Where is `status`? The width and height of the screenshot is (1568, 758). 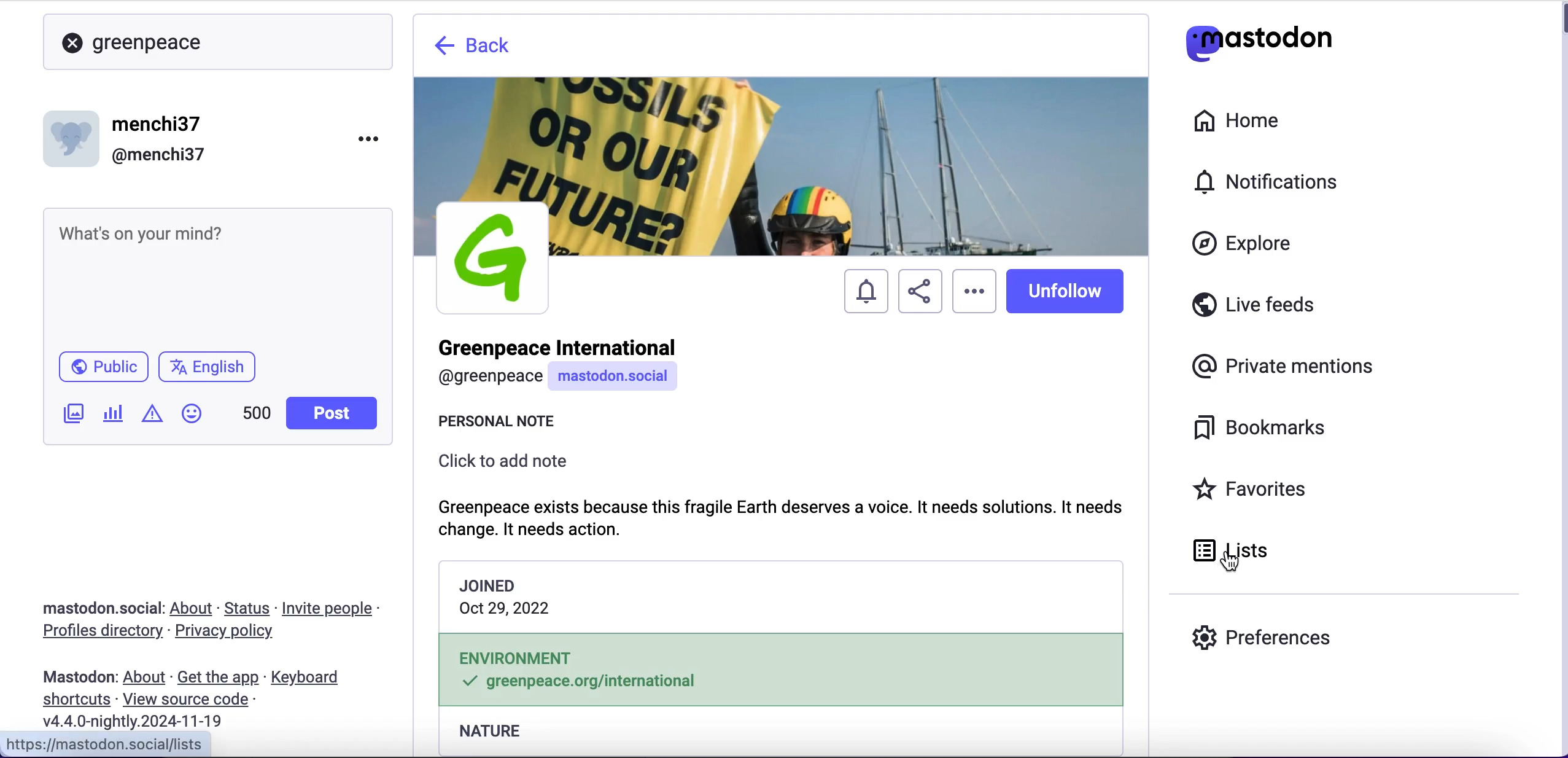 status is located at coordinates (249, 608).